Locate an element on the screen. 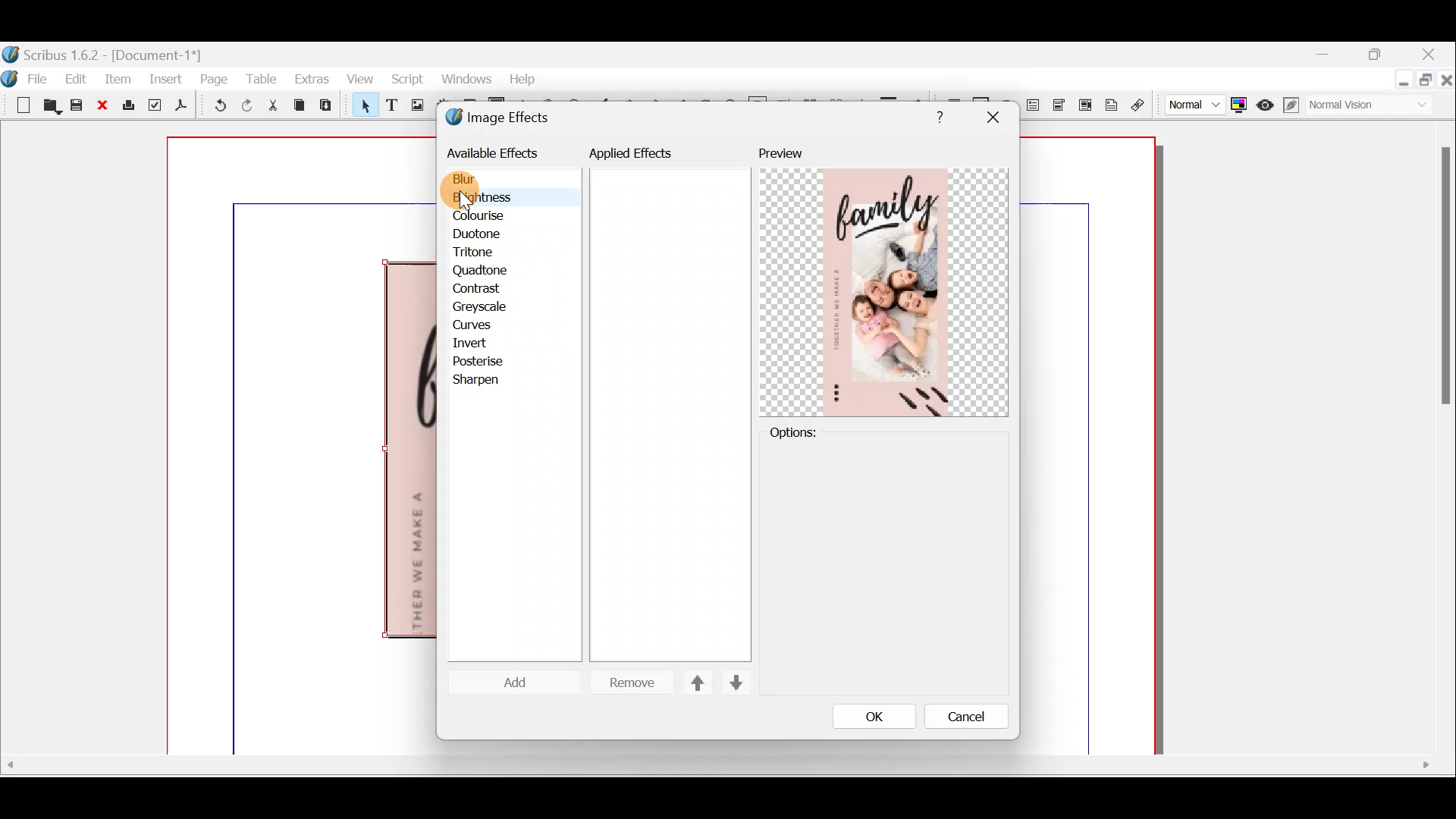 The width and height of the screenshot is (1456, 819). Image frame is located at coordinates (415, 107).